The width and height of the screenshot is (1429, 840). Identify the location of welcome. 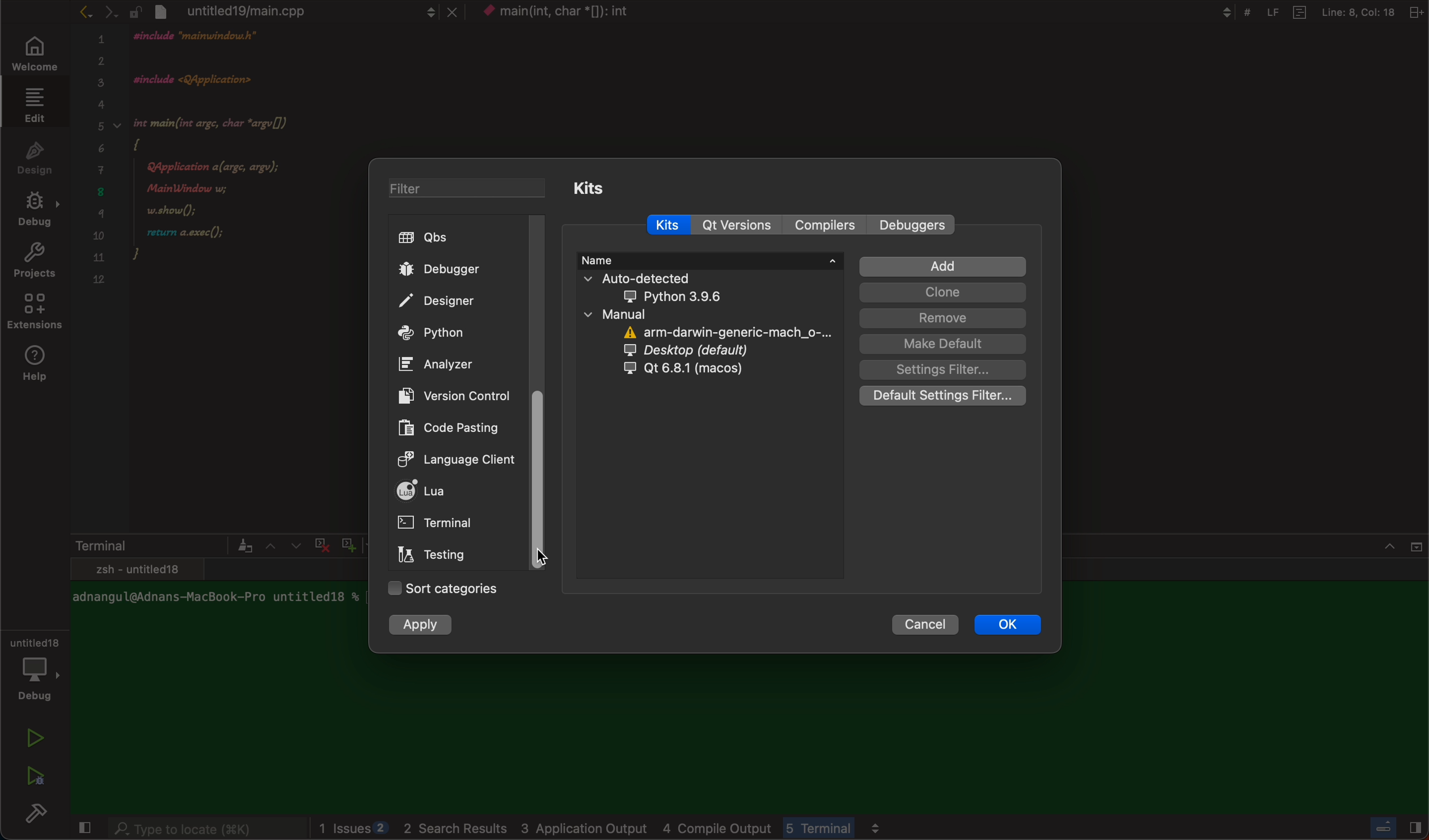
(32, 55).